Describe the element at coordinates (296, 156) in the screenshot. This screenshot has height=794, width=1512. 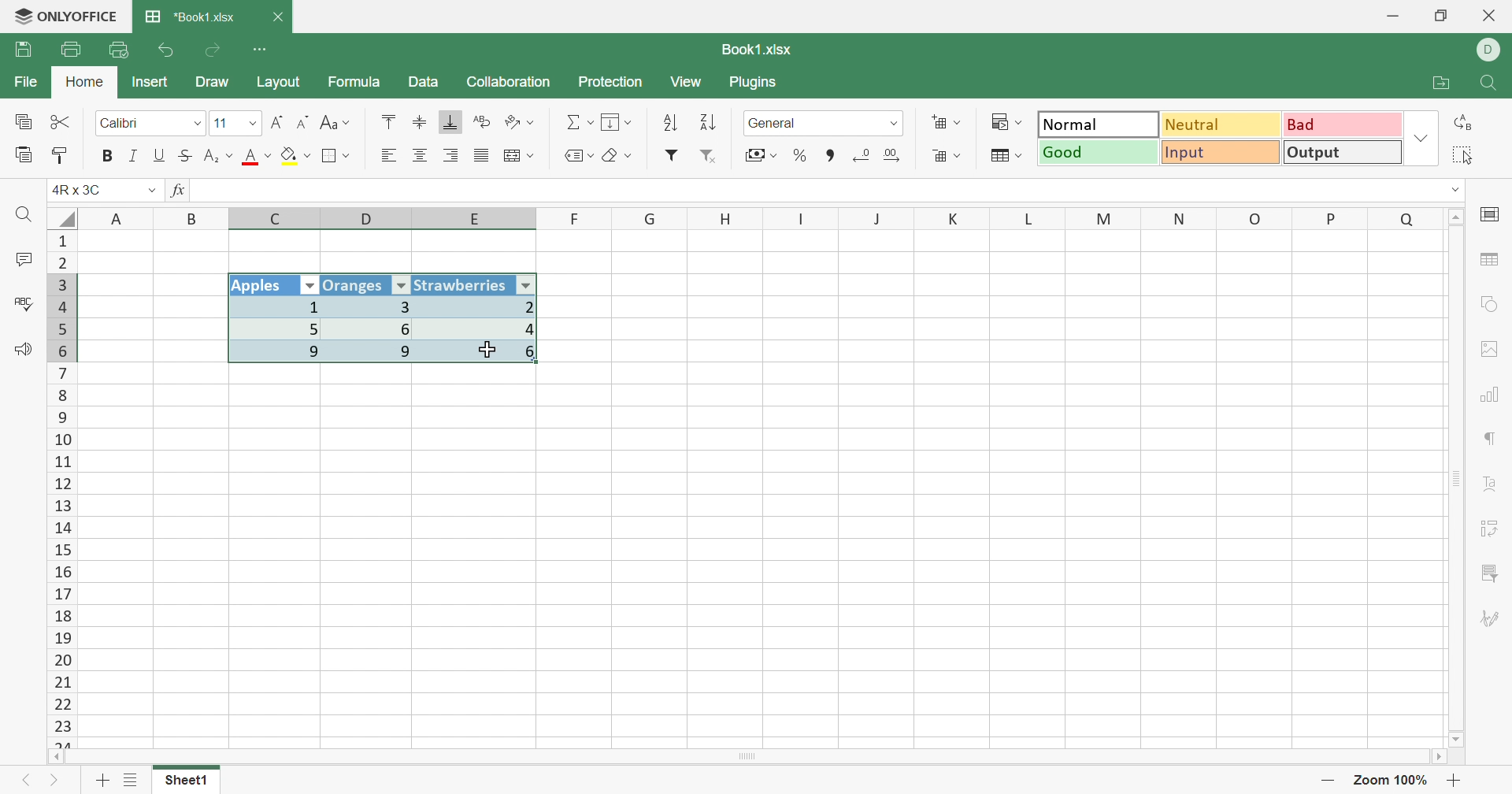
I see `Fill color` at that location.